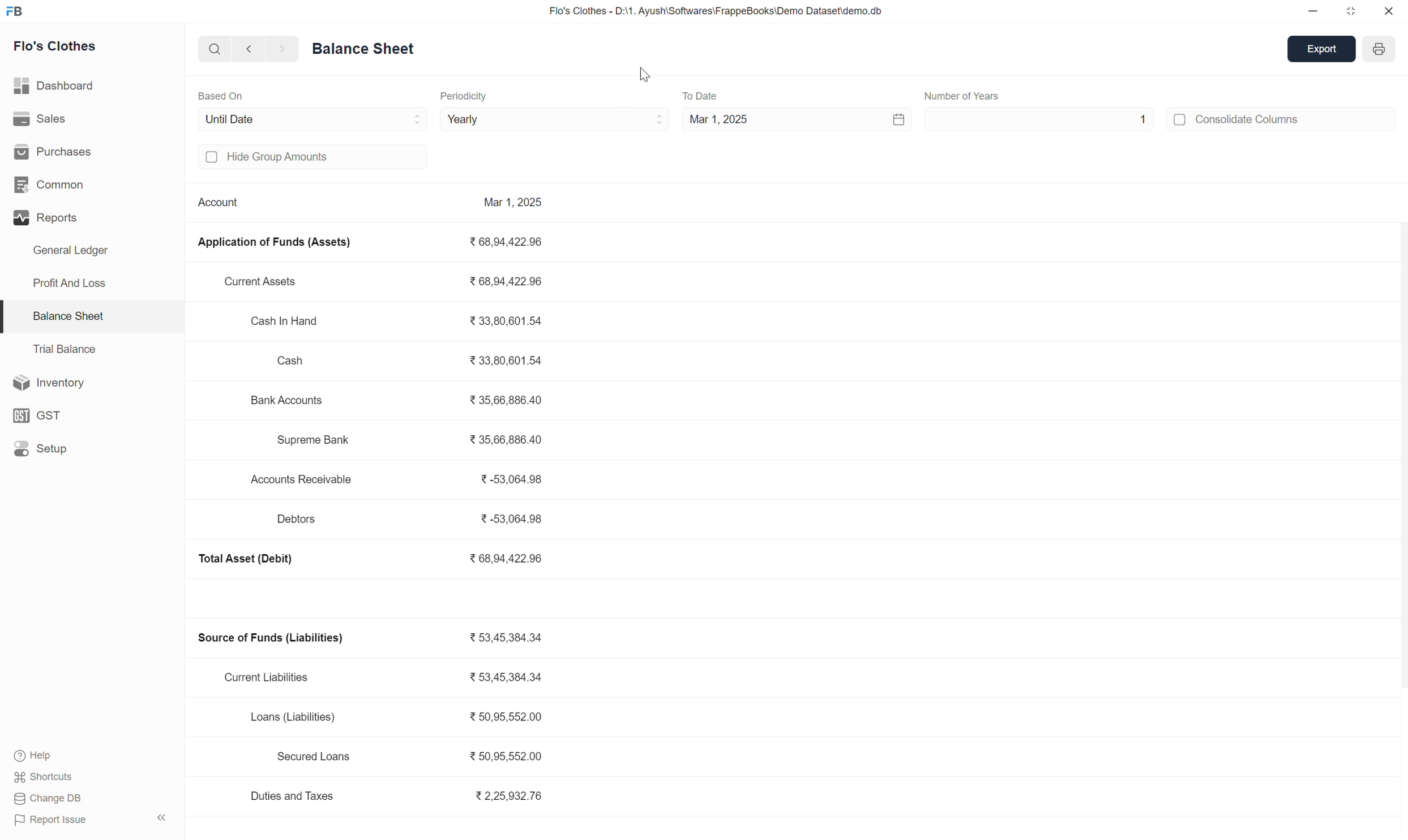  What do you see at coordinates (52, 383) in the screenshot?
I see `Inventory` at bounding box center [52, 383].